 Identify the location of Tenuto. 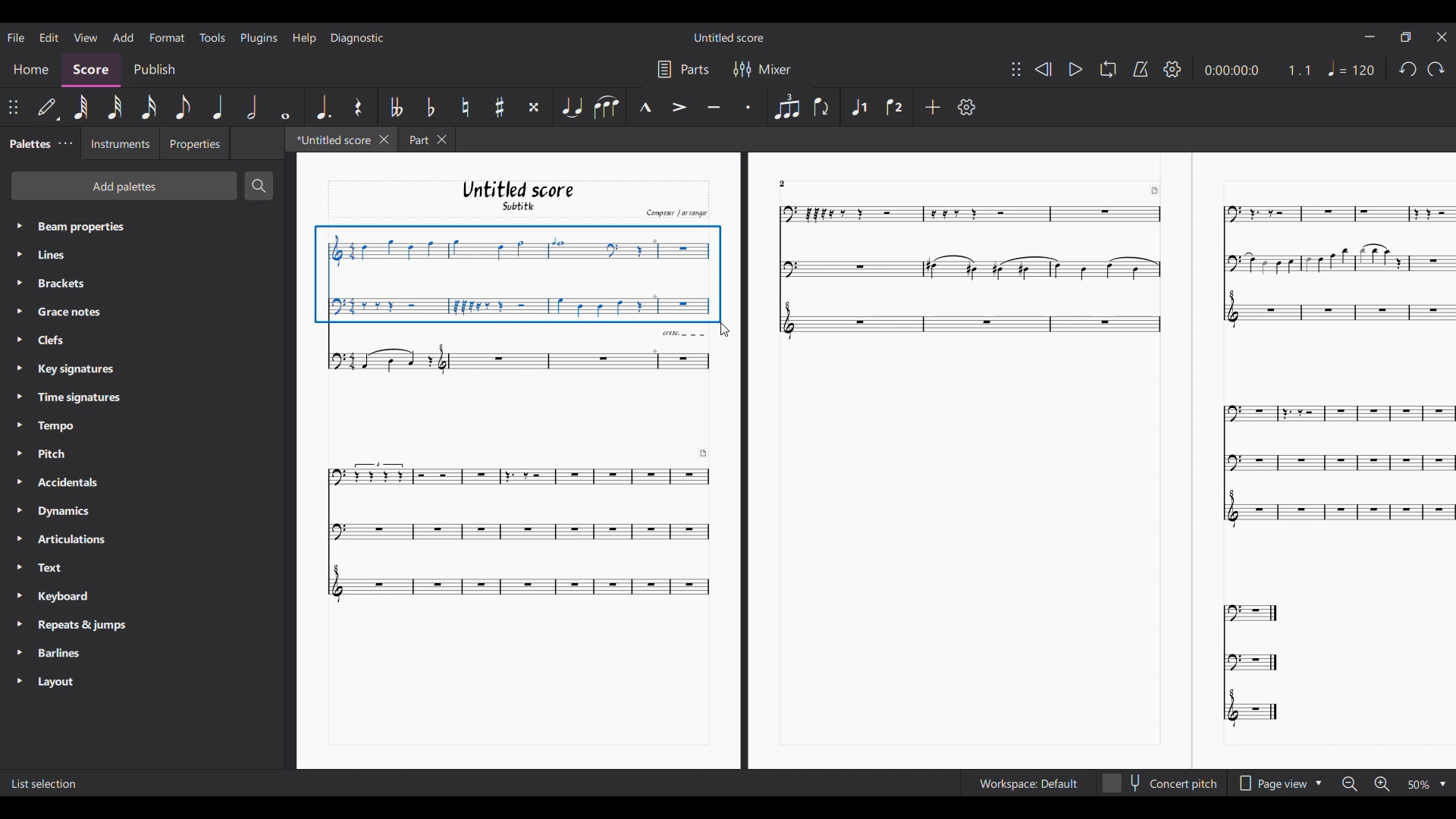
(713, 105).